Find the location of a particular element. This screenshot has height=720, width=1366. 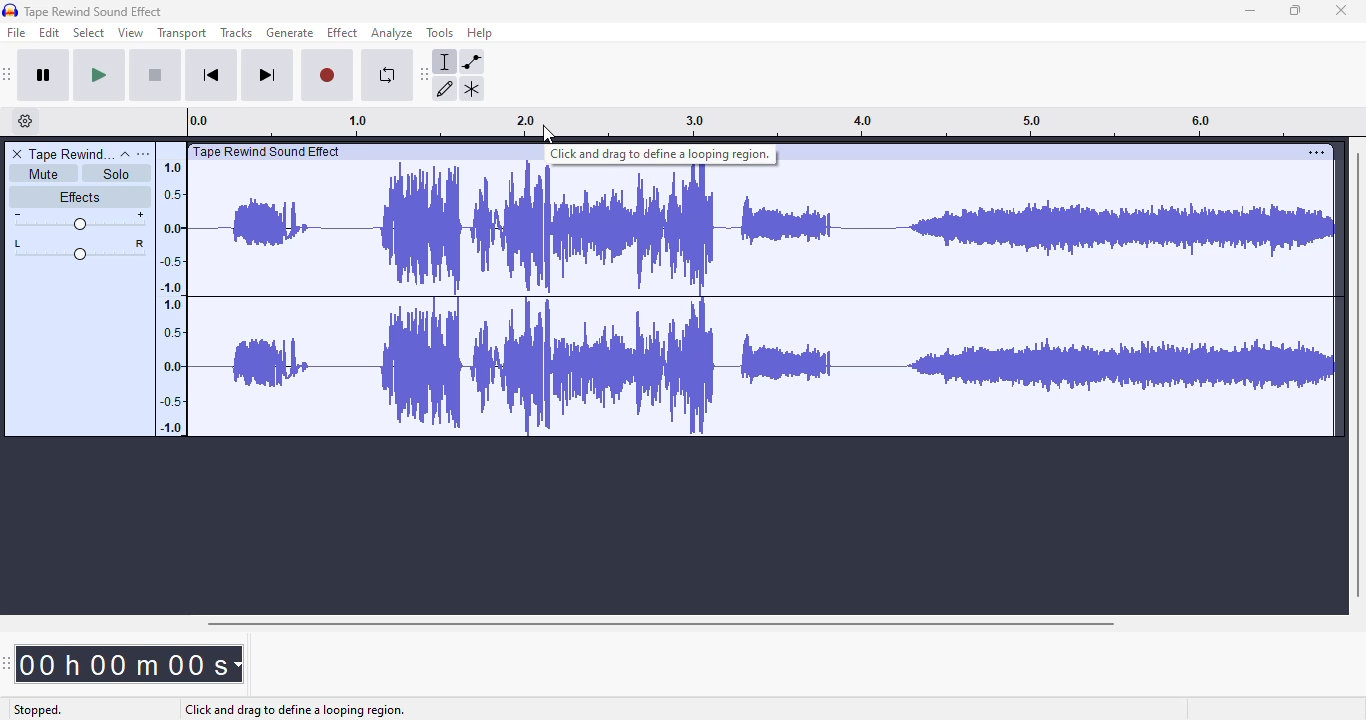

help is located at coordinates (480, 33).